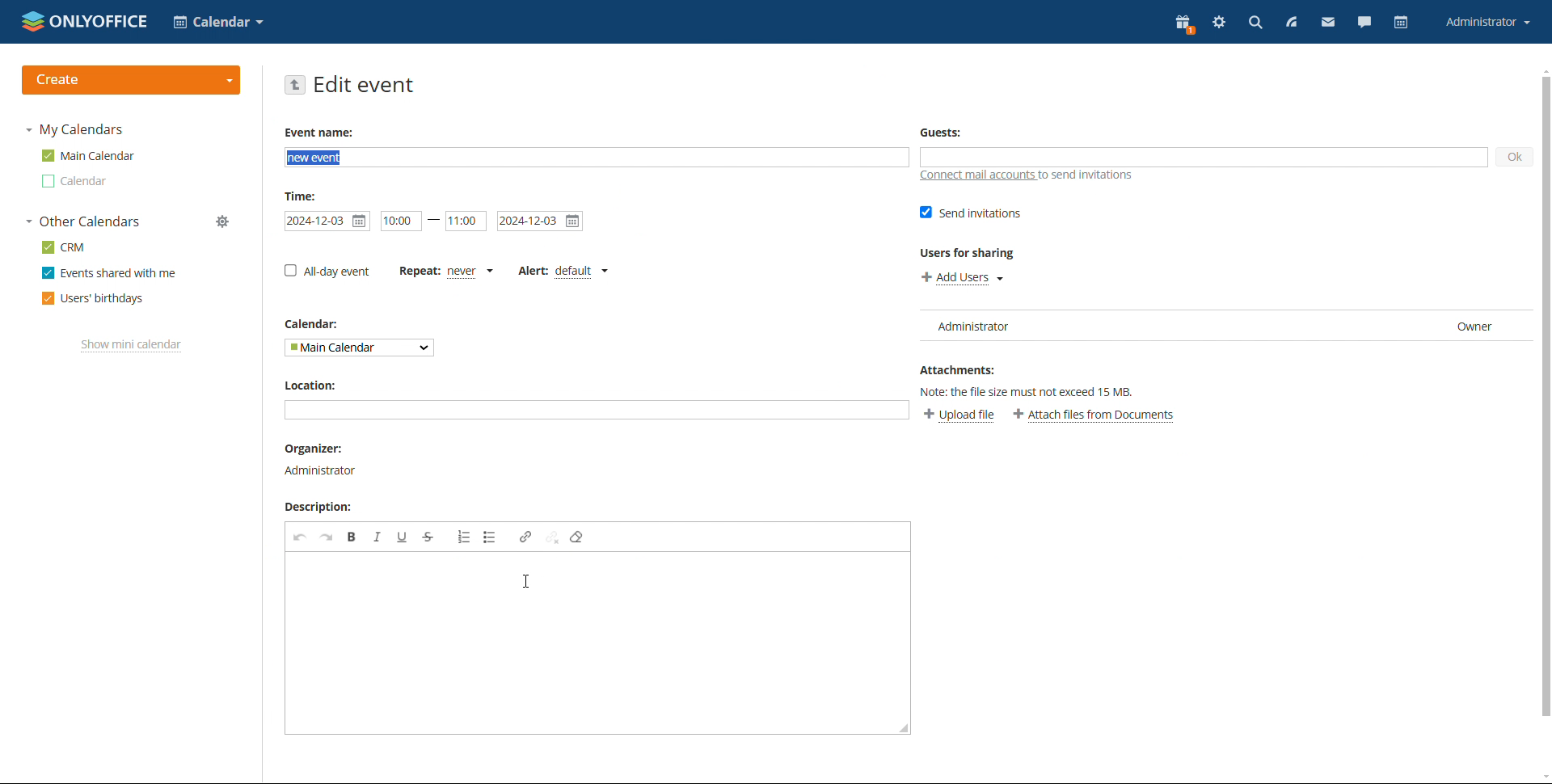 Image resolution: width=1552 pixels, height=784 pixels. What do you see at coordinates (1028, 176) in the screenshot?
I see `connect mail accounts to send invitations` at bounding box center [1028, 176].